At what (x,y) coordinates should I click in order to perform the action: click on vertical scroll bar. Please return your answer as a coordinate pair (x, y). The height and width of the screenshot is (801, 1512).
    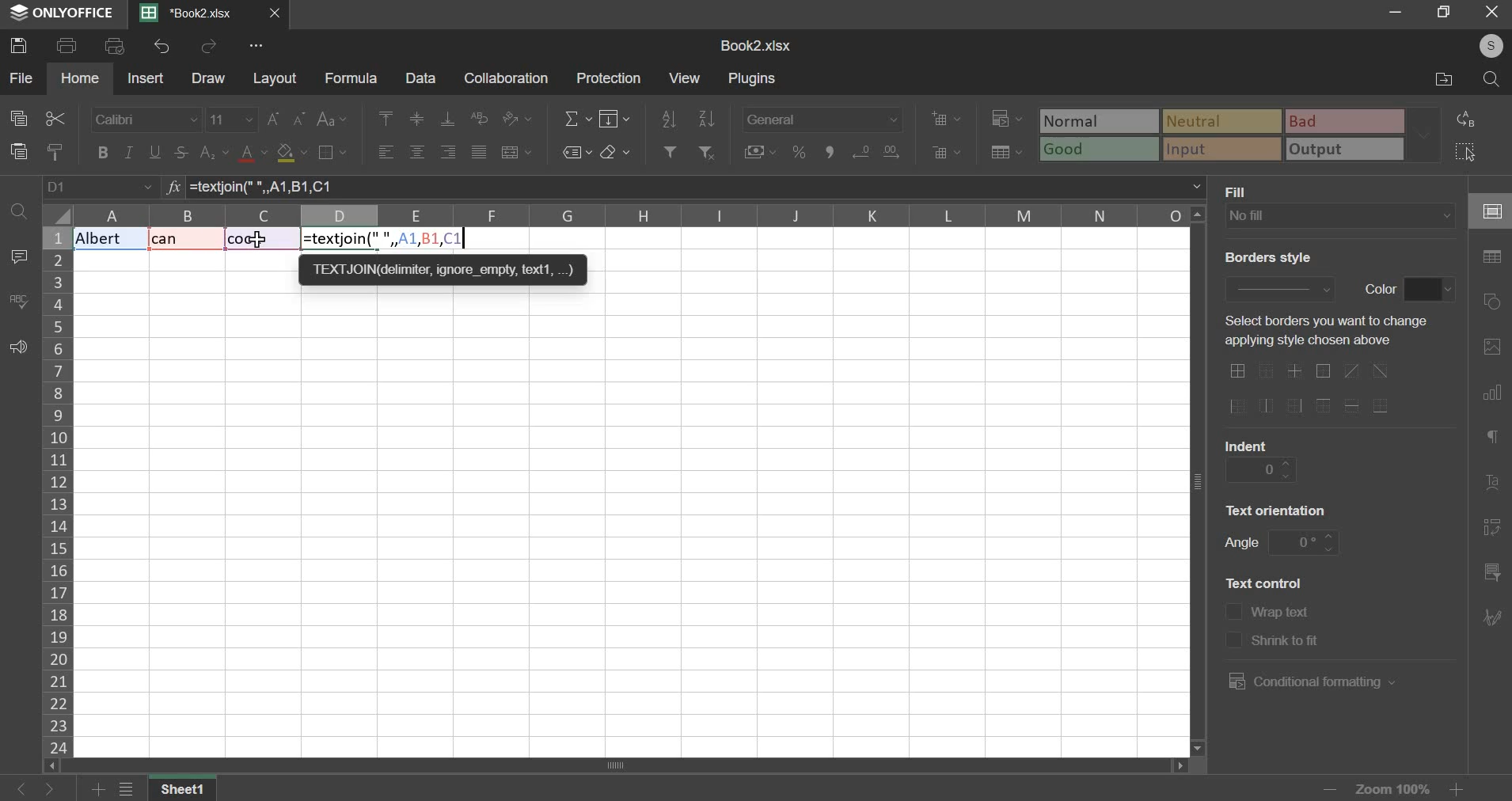
    Looking at the image, I should click on (1201, 480).